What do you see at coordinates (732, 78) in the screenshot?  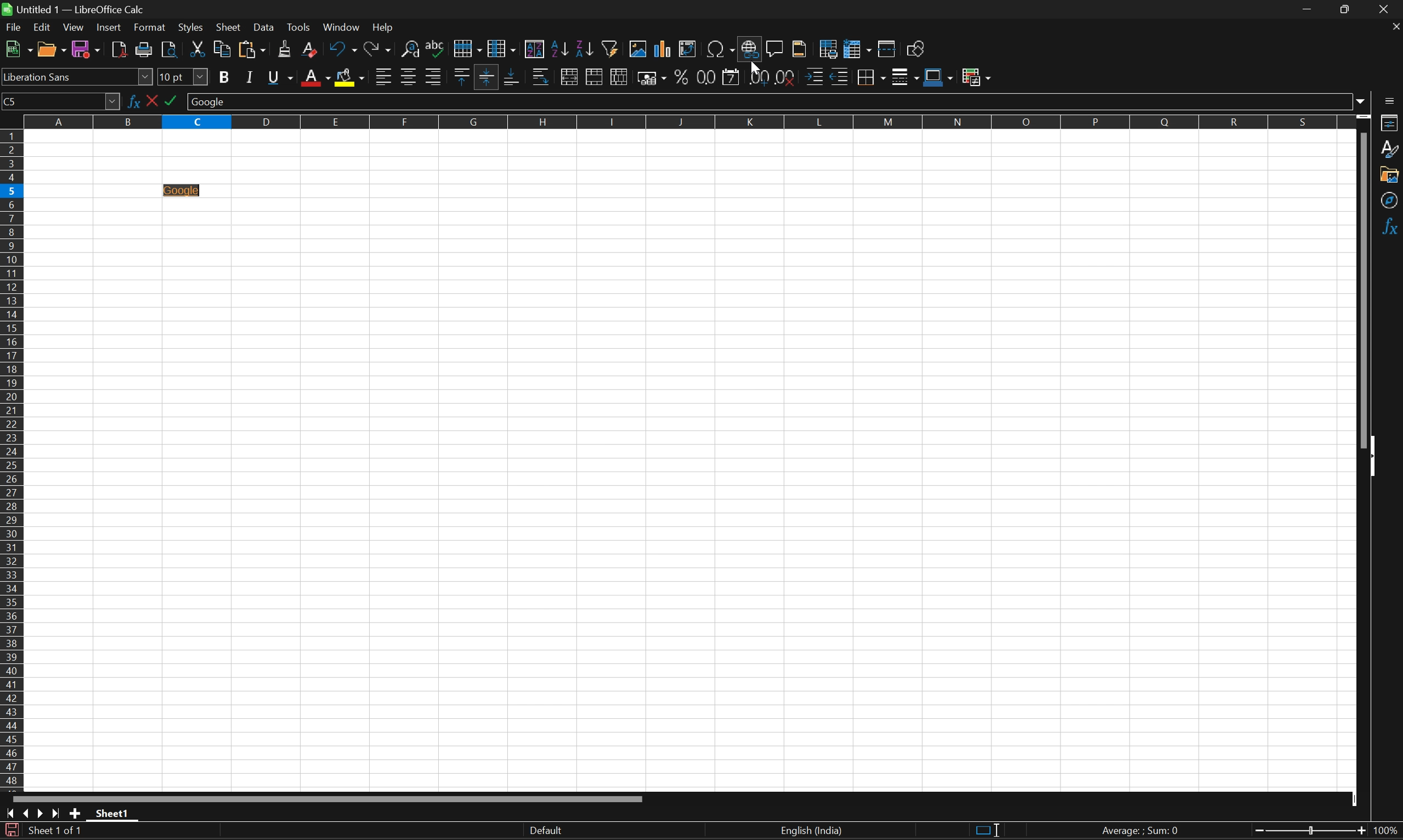 I see `Format as date` at bounding box center [732, 78].